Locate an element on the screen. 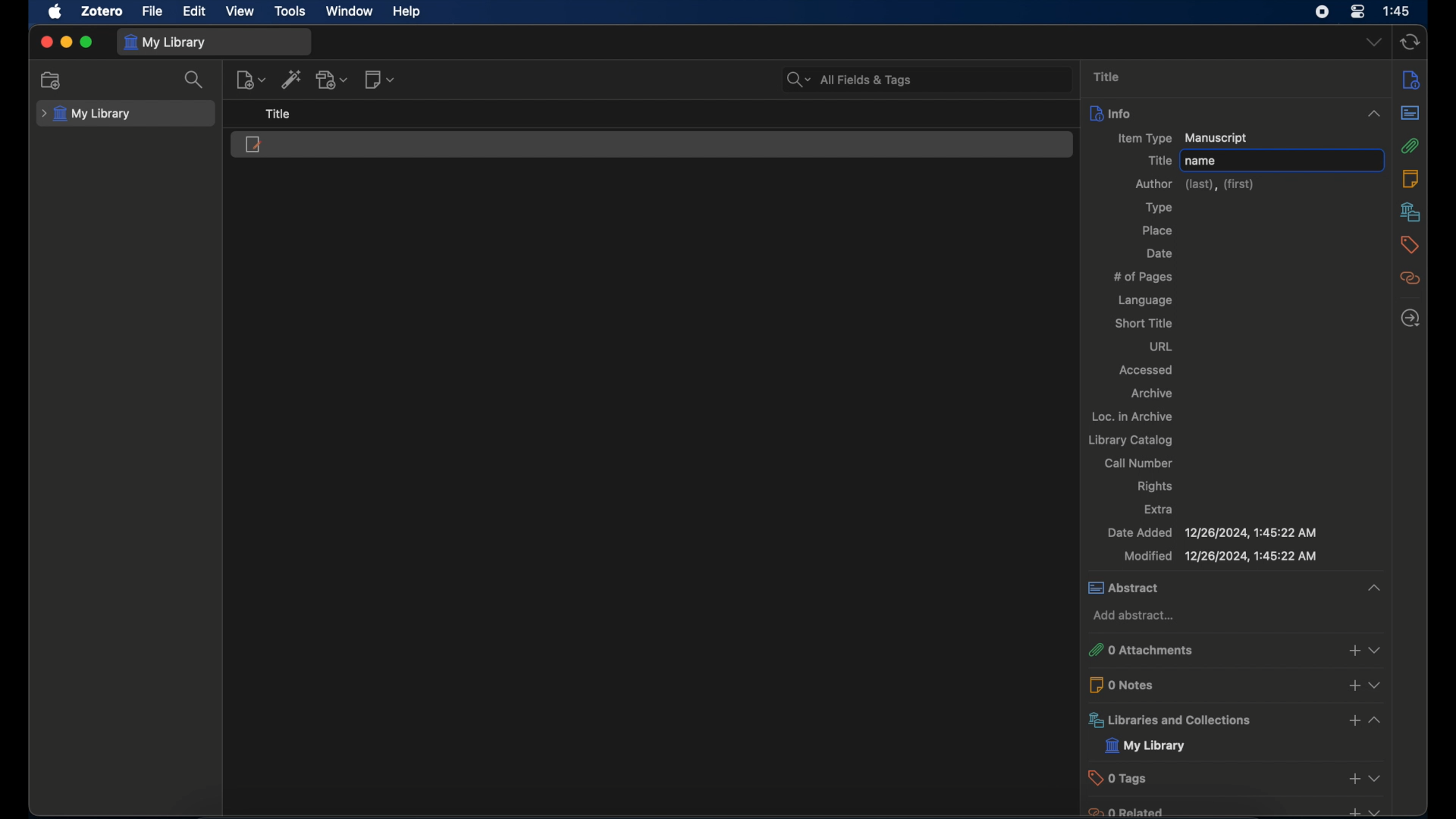 The image size is (1456, 819). title is located at coordinates (282, 115).